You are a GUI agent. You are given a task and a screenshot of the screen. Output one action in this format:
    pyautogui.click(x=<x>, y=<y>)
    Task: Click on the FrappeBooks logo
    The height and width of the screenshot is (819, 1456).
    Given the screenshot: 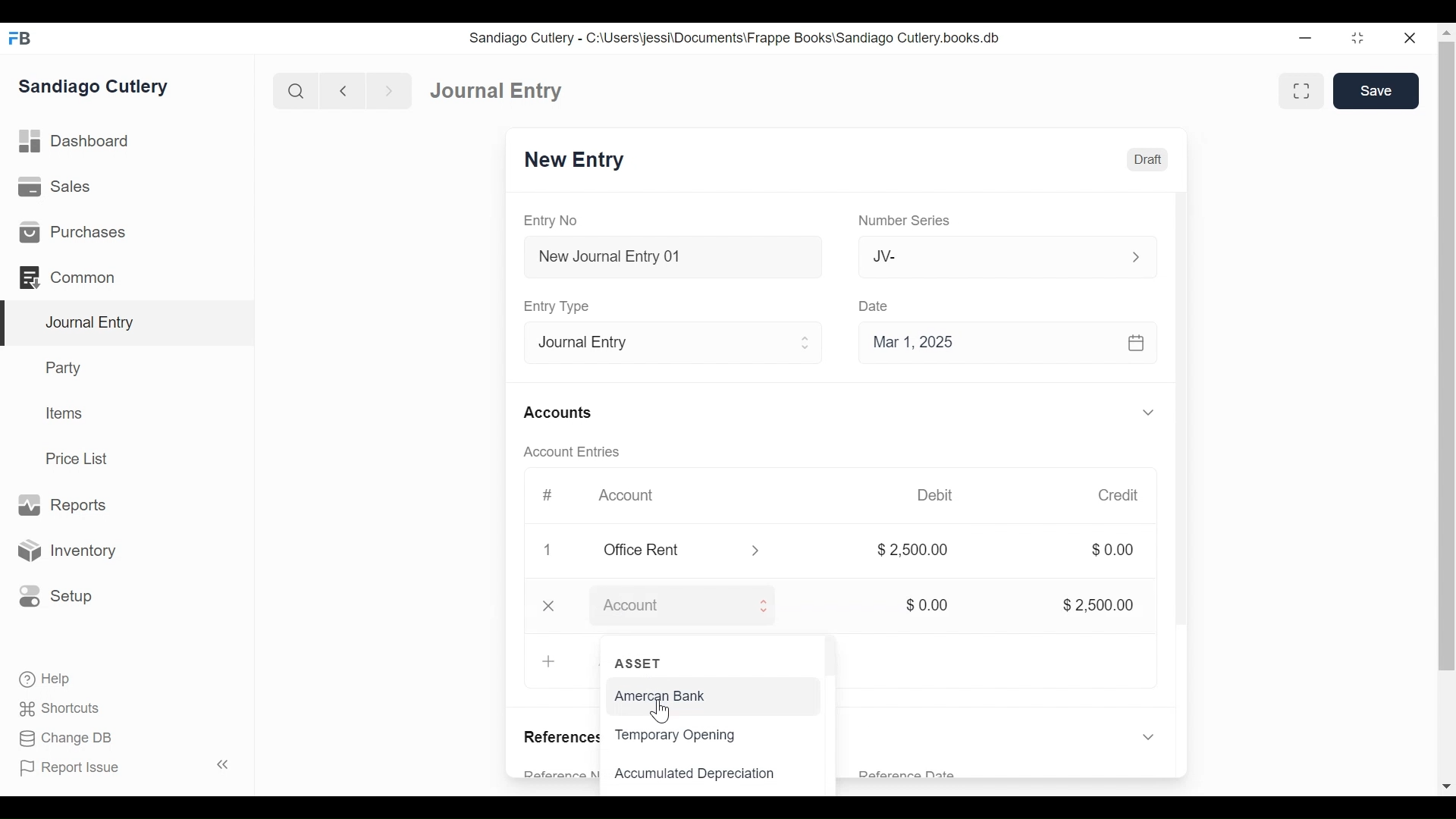 What is the action you would take?
    pyautogui.click(x=19, y=38)
    